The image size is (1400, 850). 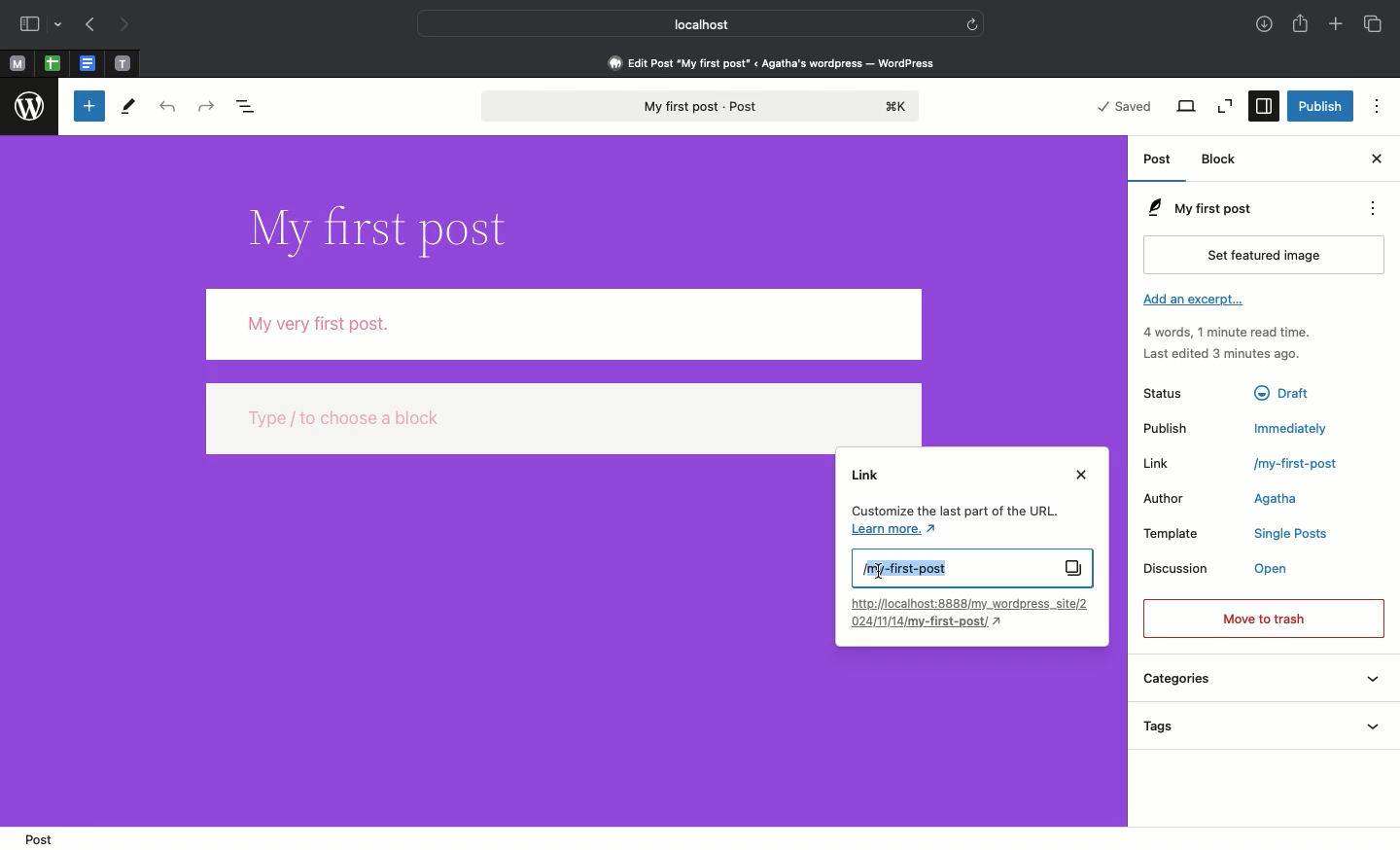 I want to click on Tags, so click(x=1267, y=724).